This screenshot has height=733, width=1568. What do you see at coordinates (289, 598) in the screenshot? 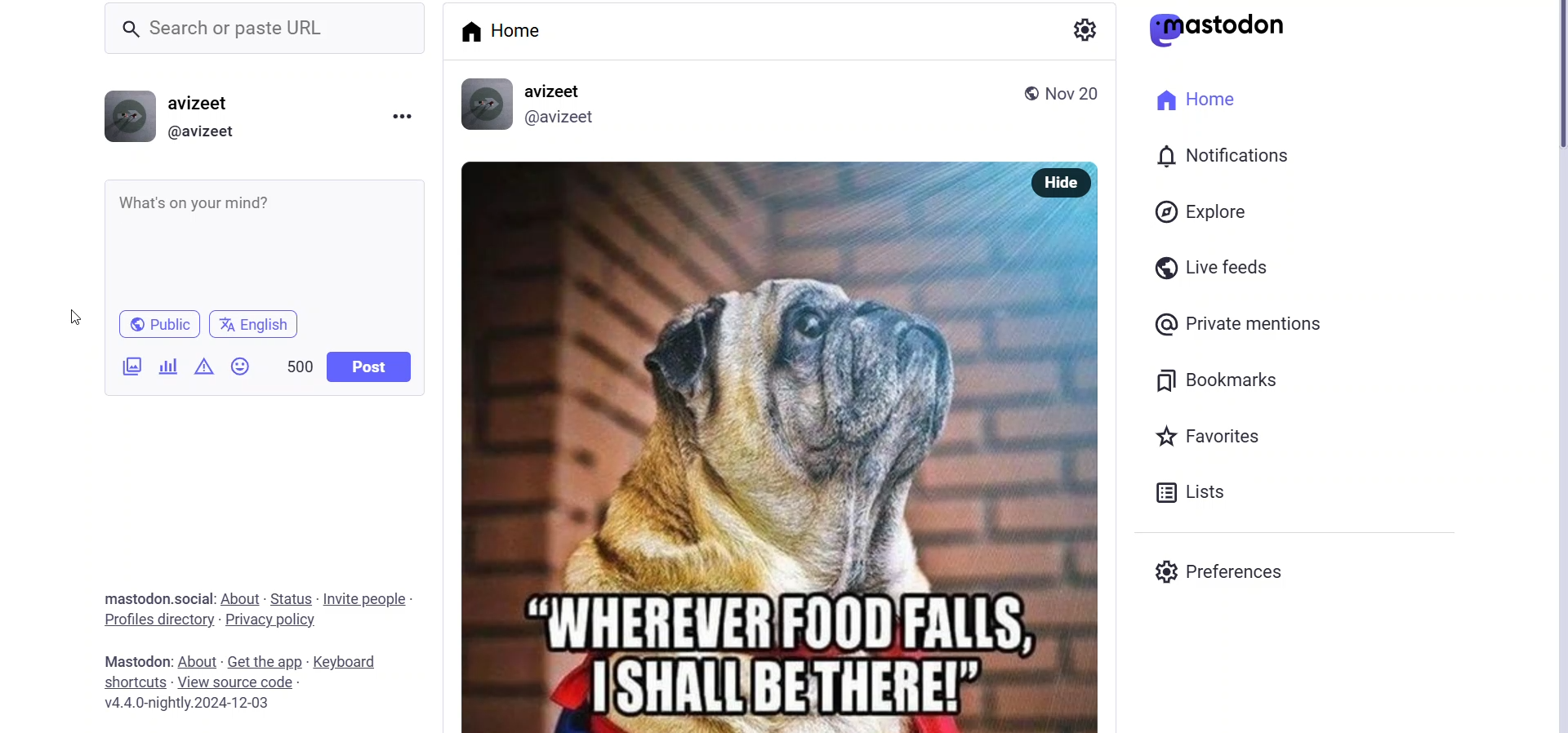
I see `status` at bounding box center [289, 598].